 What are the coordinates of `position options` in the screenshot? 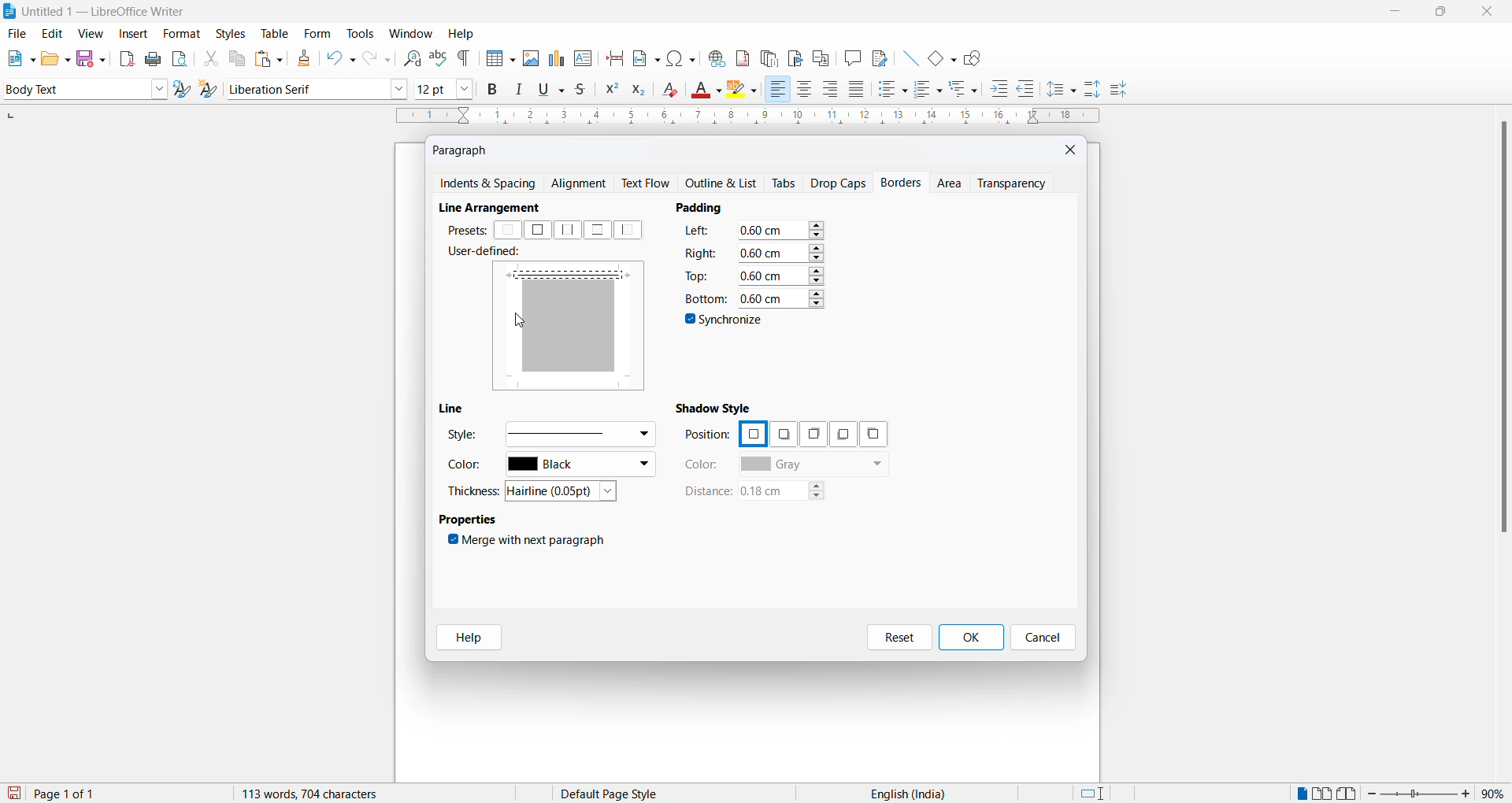 It's located at (873, 434).